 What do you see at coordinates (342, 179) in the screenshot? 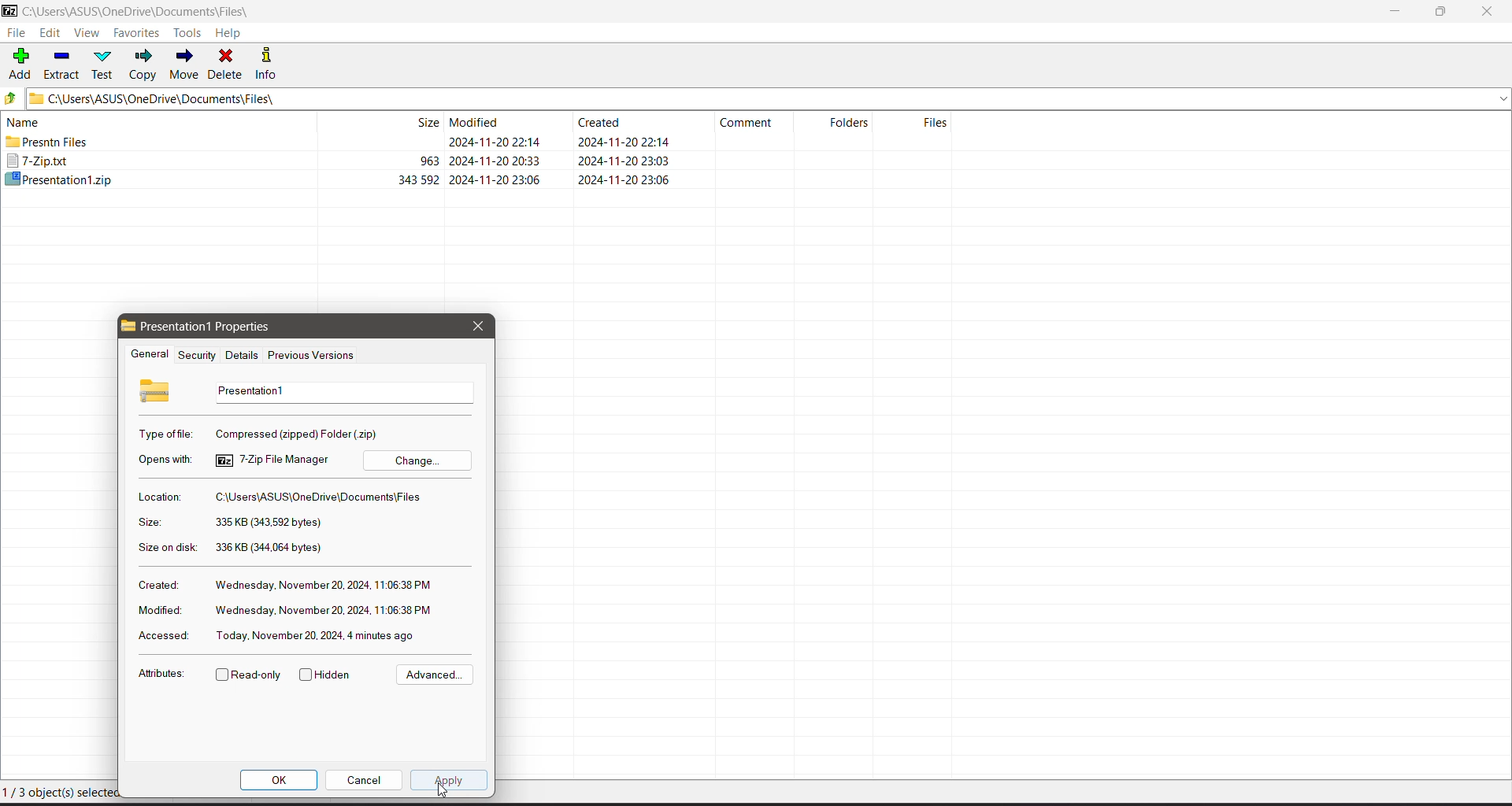
I see `Cursor on presentation file` at bounding box center [342, 179].